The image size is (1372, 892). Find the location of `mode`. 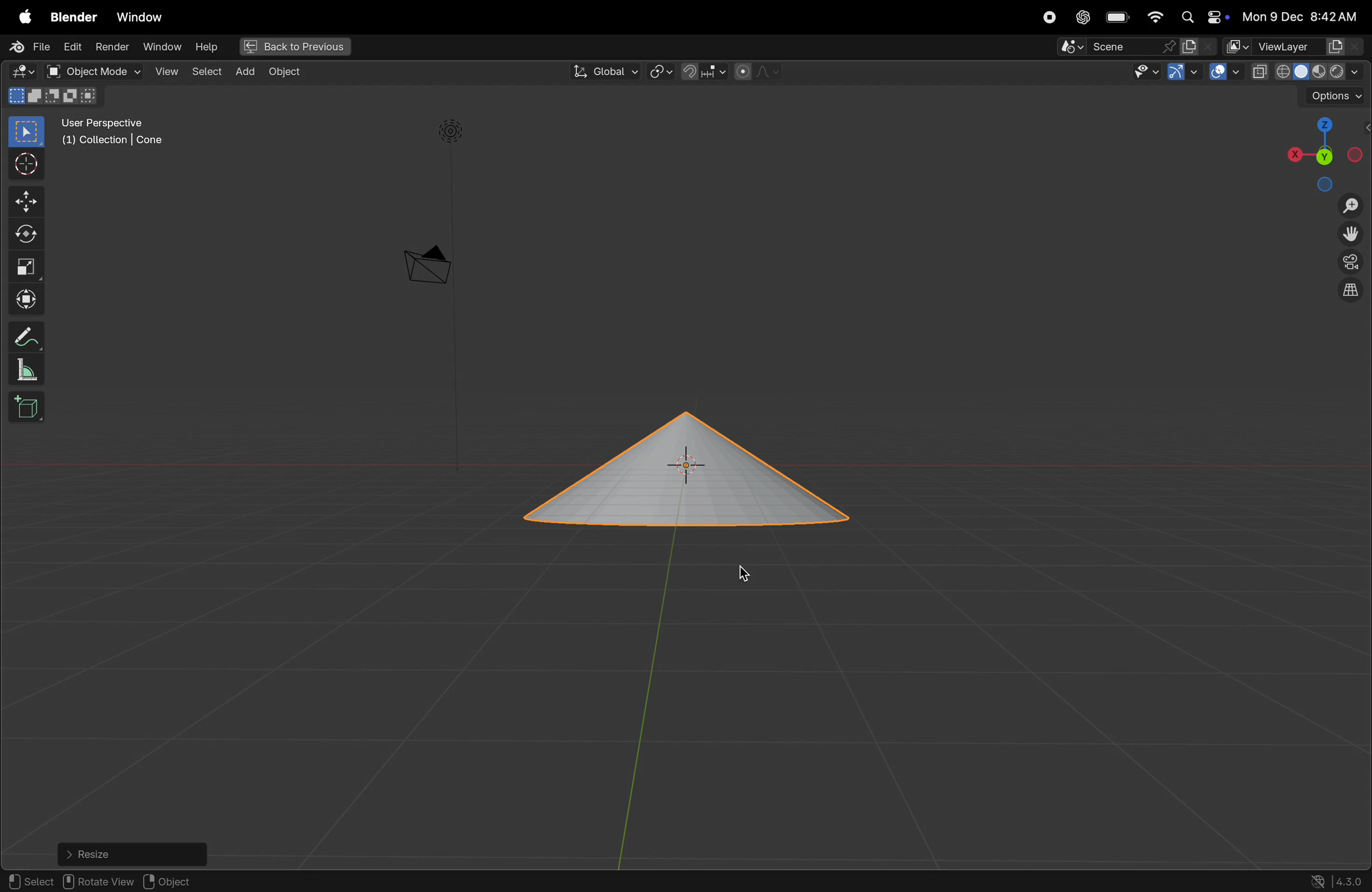

mode is located at coordinates (107, 97).